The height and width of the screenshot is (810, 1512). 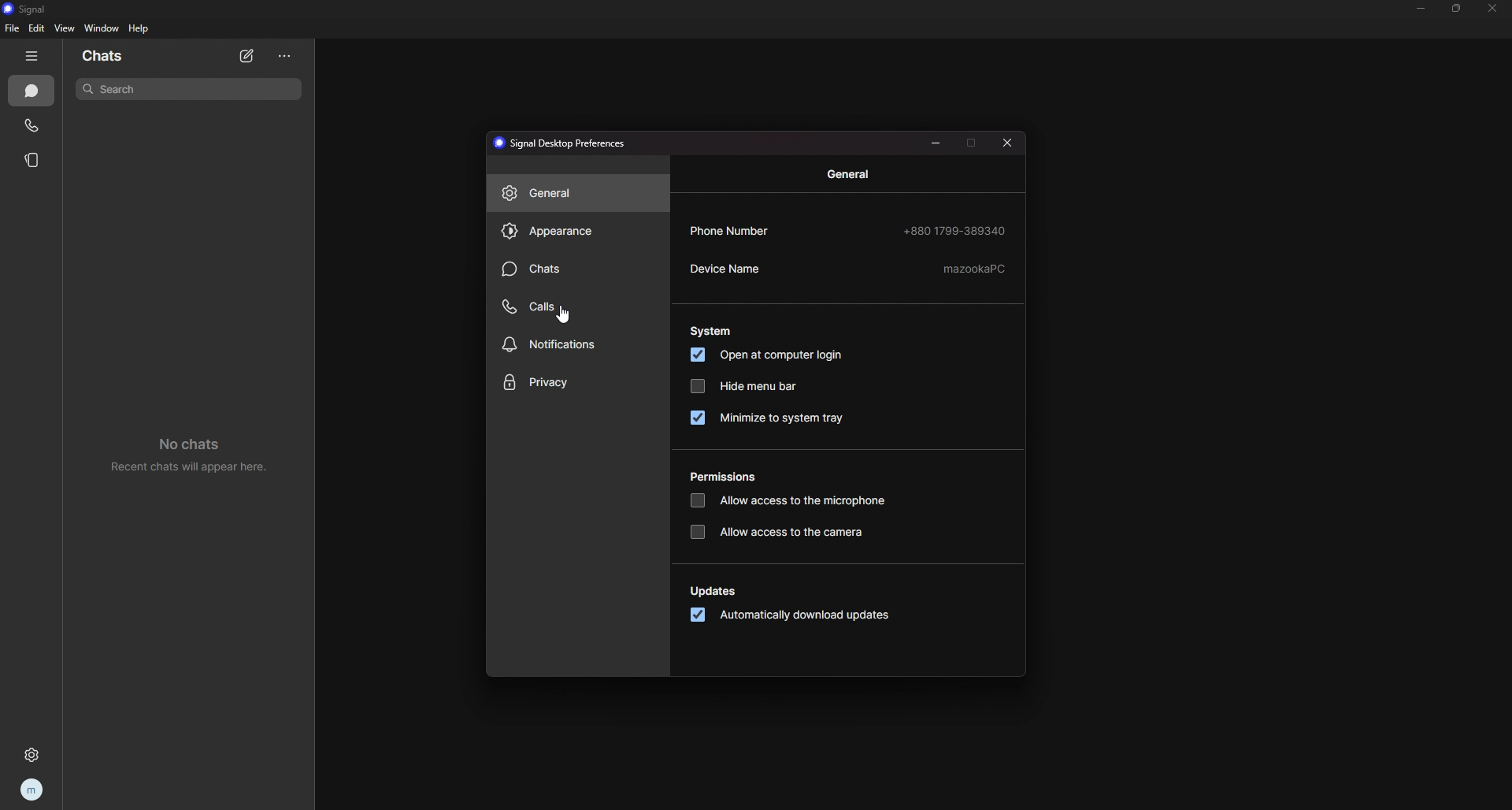 I want to click on chats, so click(x=128, y=54).